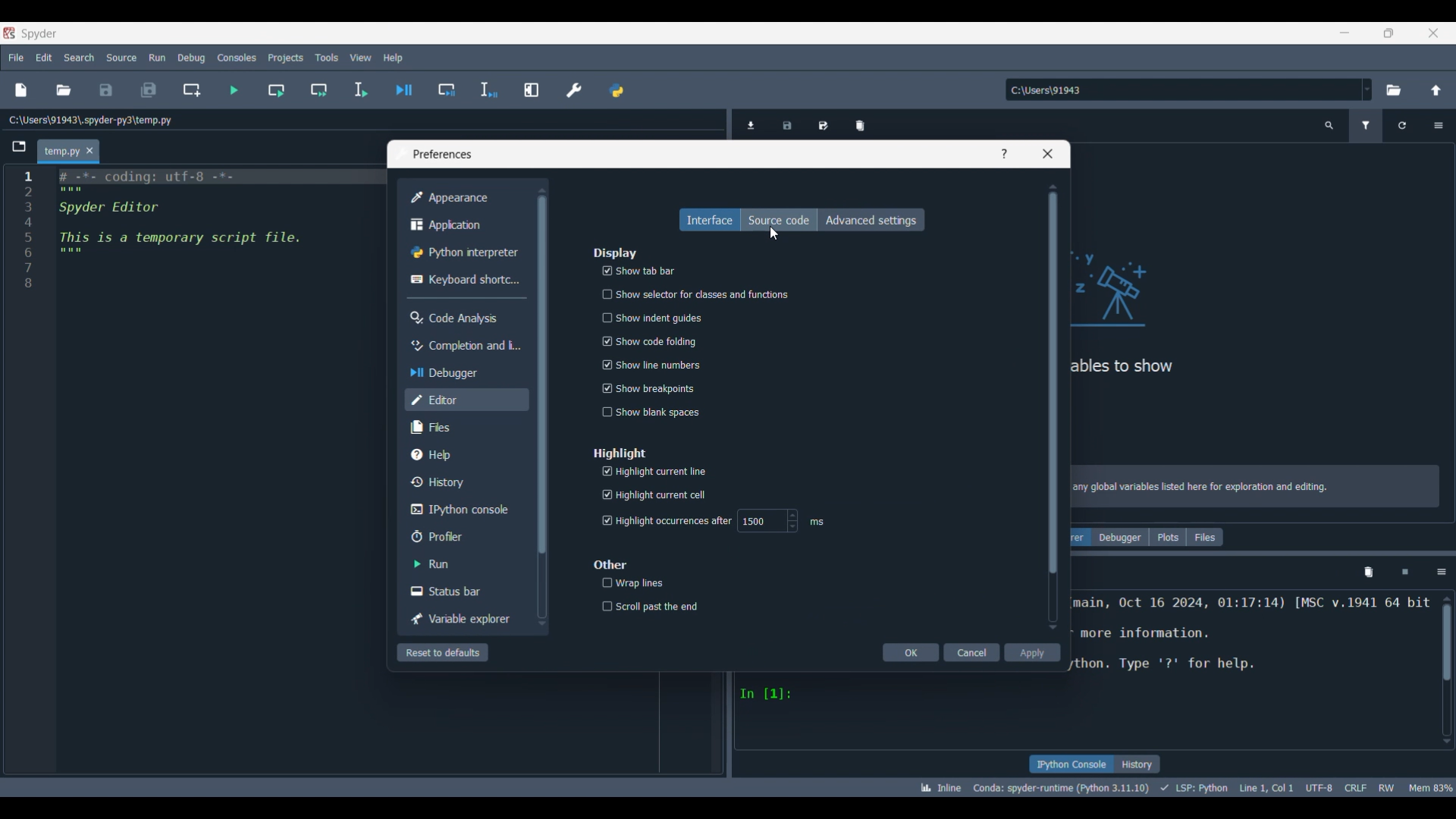 The height and width of the screenshot is (819, 1456). What do you see at coordinates (44, 58) in the screenshot?
I see `Edit menu` at bounding box center [44, 58].